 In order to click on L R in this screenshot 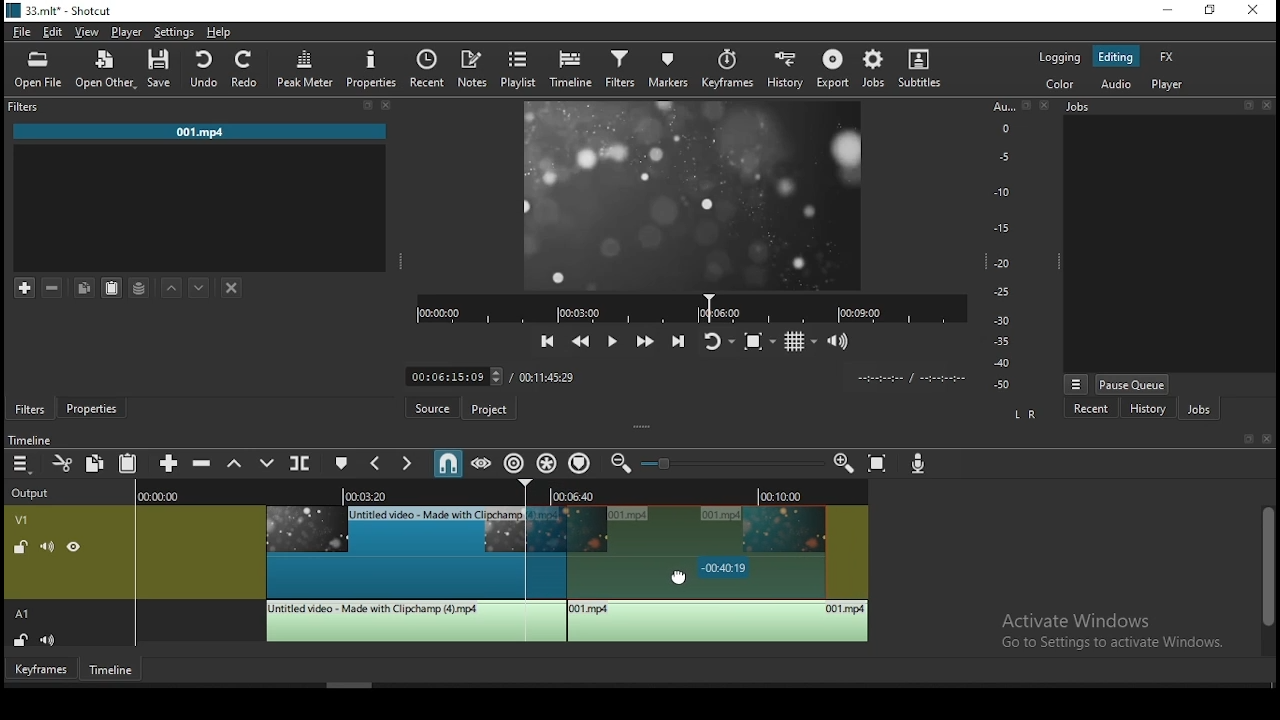, I will do `click(1021, 414)`.